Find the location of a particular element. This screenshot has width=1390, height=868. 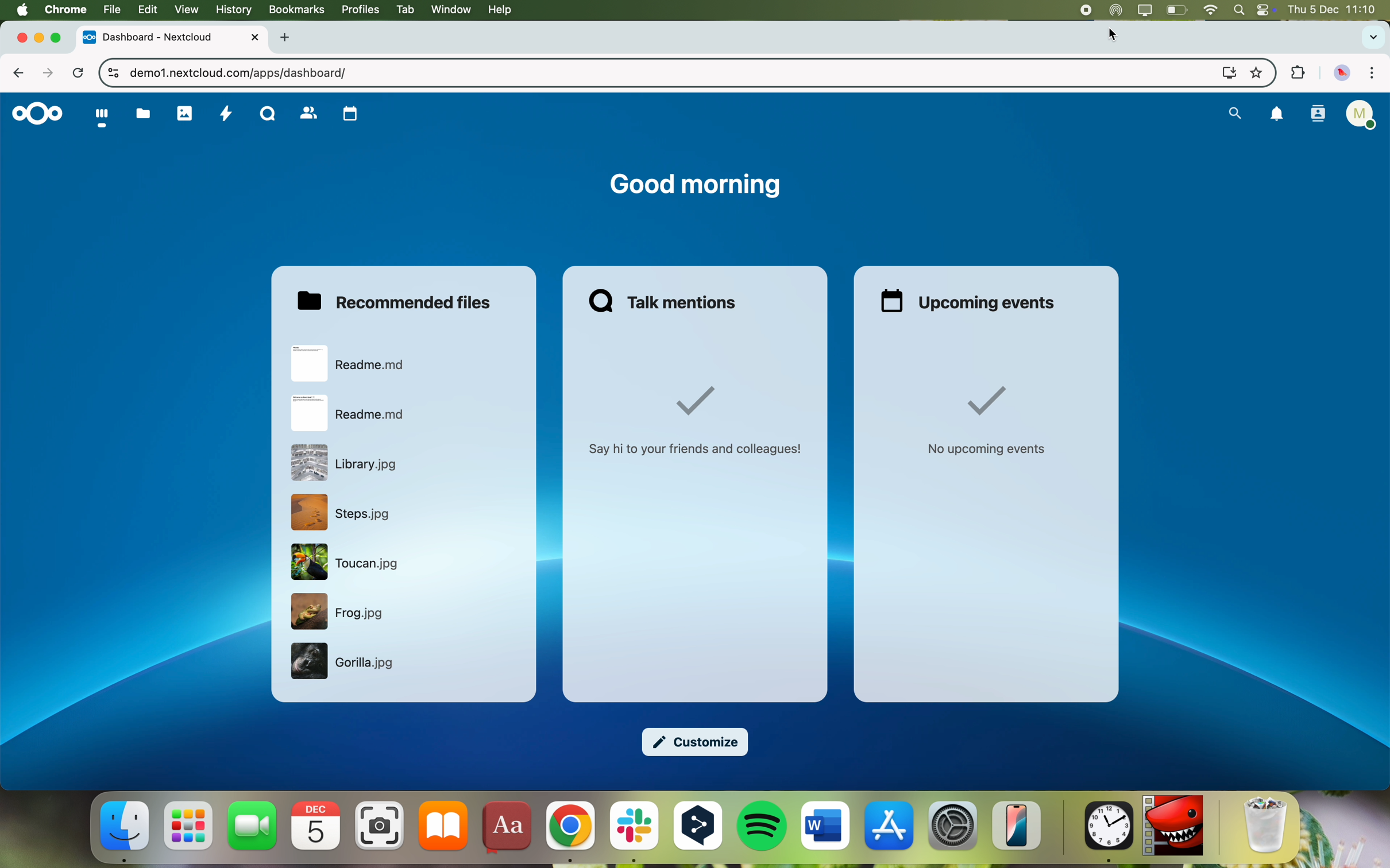

bookmarks is located at coordinates (295, 10).